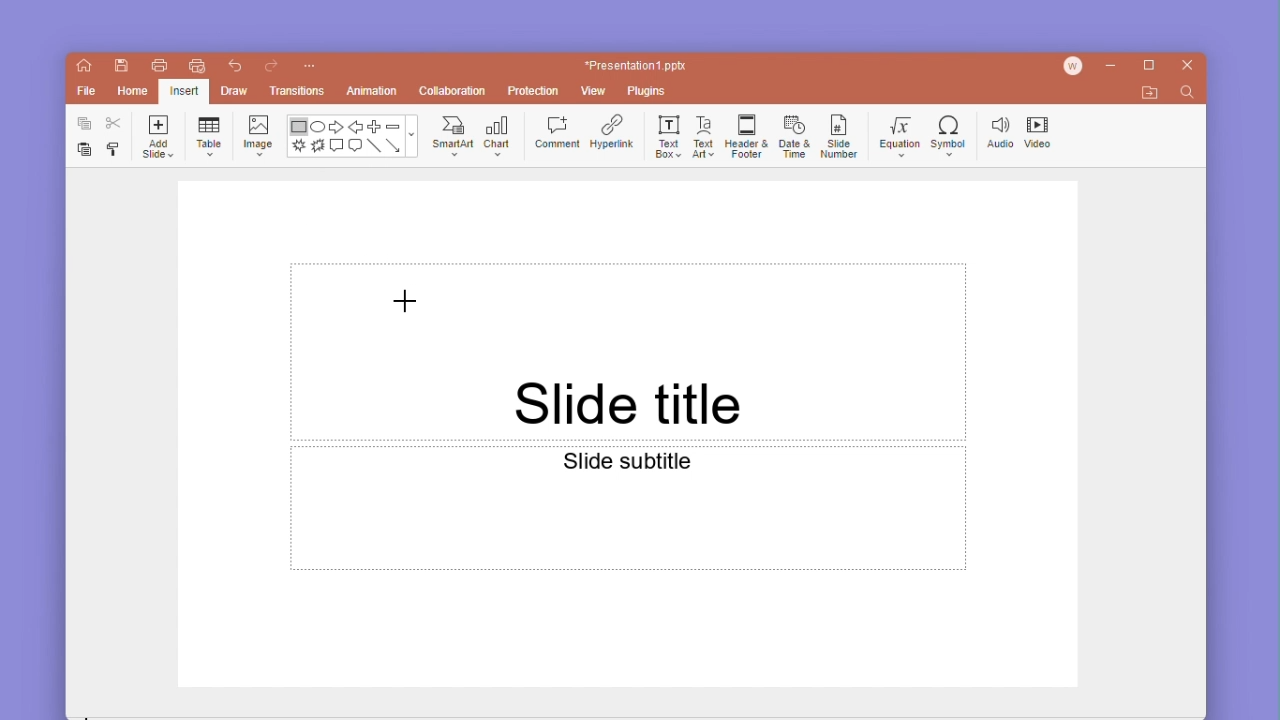 This screenshot has width=1280, height=720. I want to click on paste, so click(79, 151).